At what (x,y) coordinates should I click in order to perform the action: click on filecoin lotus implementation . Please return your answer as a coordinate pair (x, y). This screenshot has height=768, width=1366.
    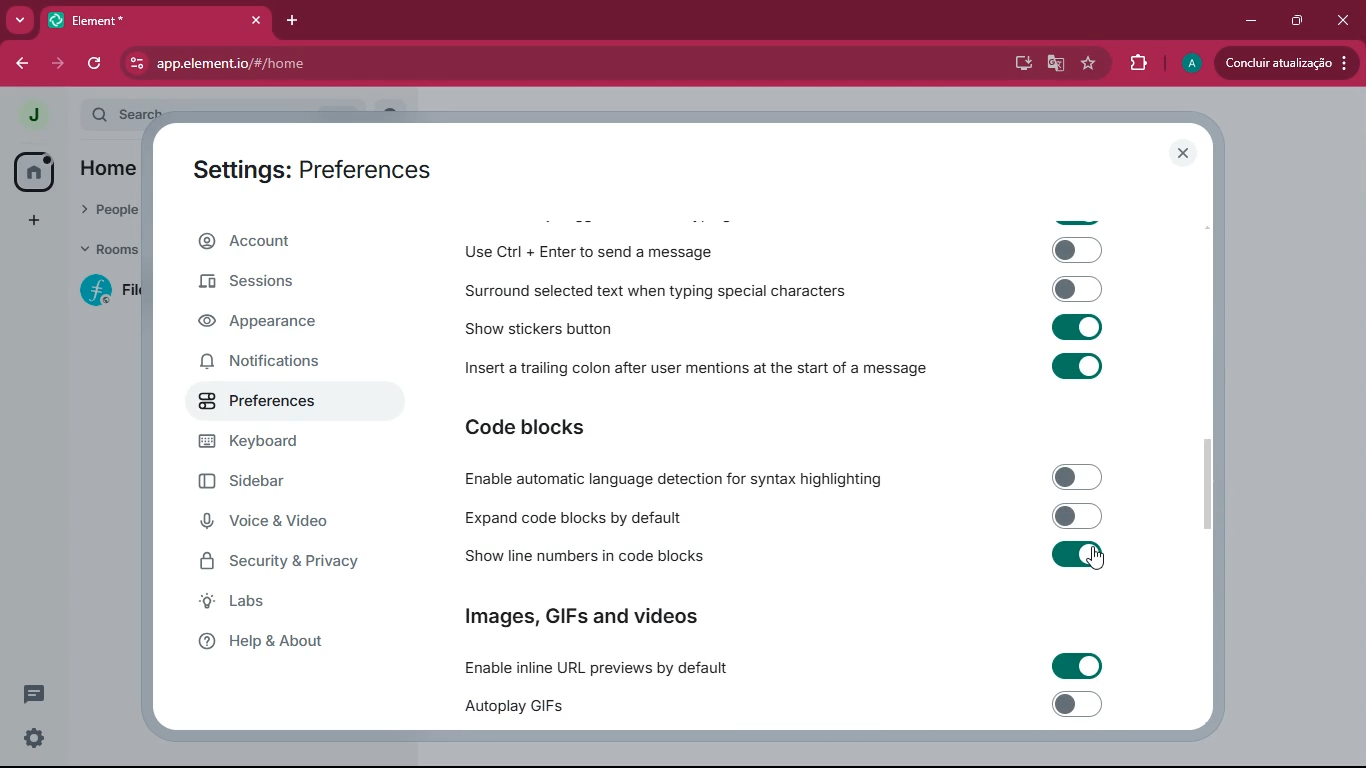
    Looking at the image, I should click on (118, 292).